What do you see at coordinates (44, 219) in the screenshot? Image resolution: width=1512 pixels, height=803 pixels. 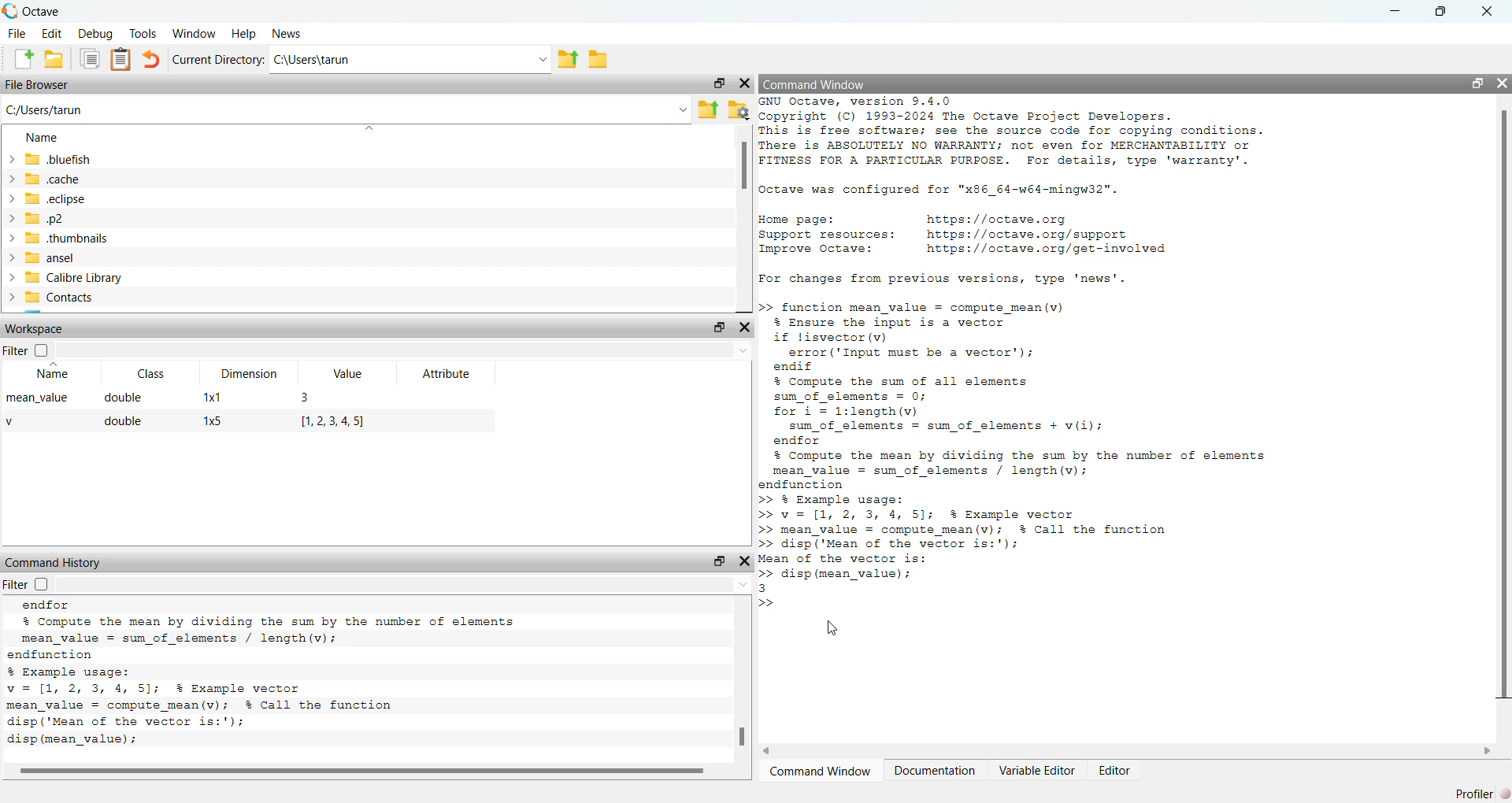 I see `.p2` at bounding box center [44, 219].